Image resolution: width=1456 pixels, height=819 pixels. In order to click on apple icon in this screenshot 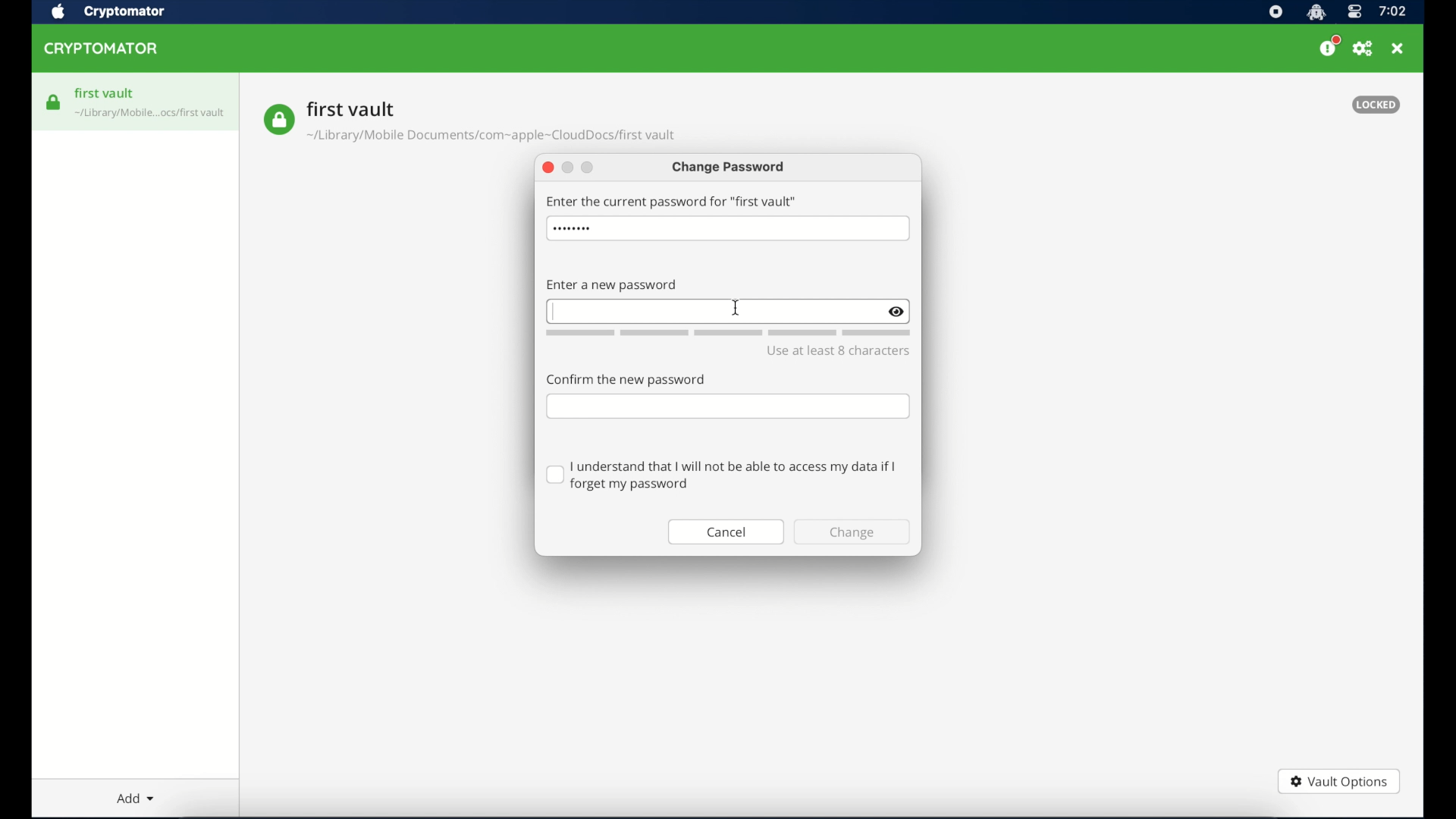, I will do `click(57, 12)`.